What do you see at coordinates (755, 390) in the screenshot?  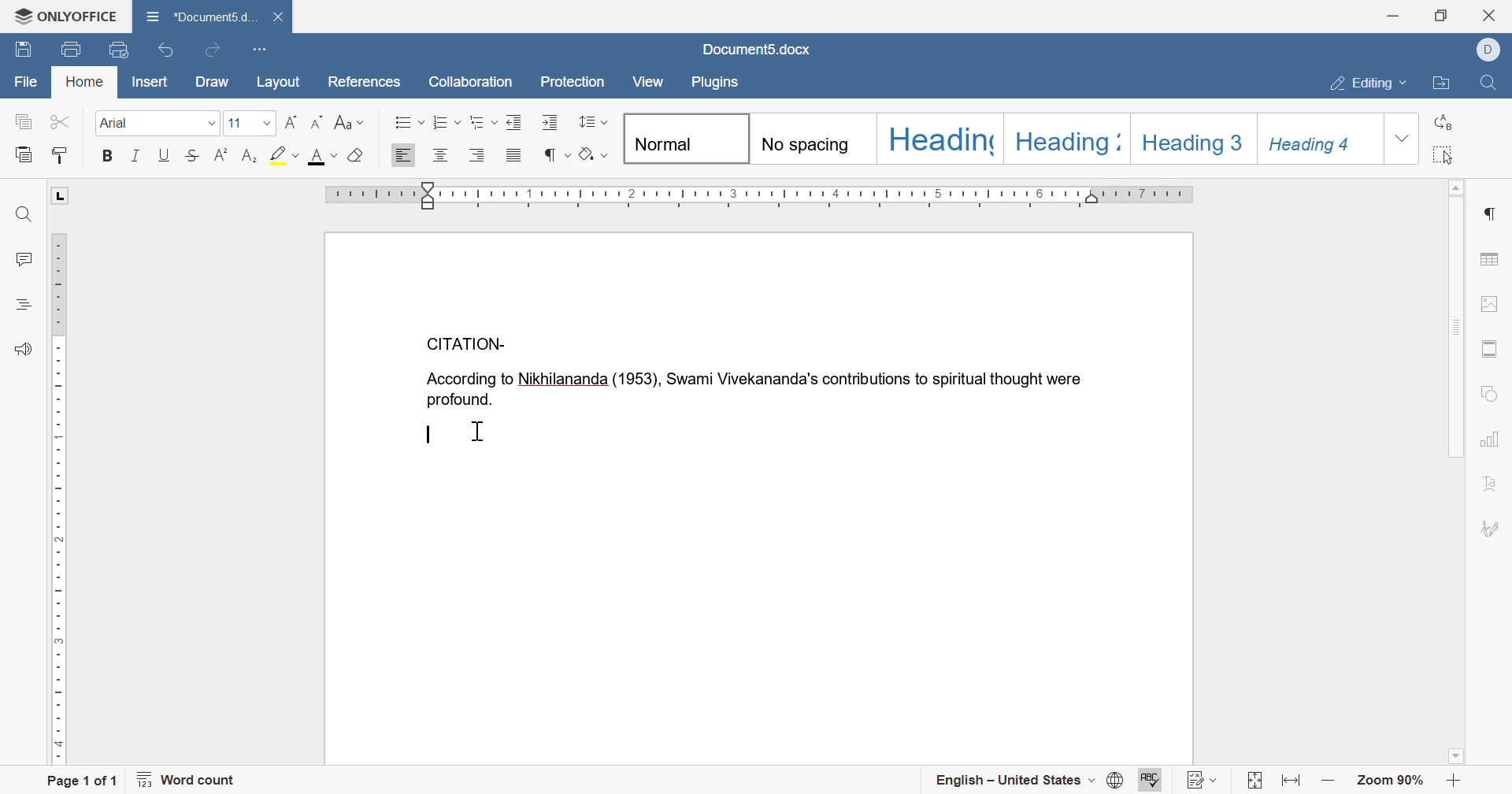 I see `According to Nikhilananda(1953), Swami Vivekananda's contributions to spiritual thought were profound` at bounding box center [755, 390].